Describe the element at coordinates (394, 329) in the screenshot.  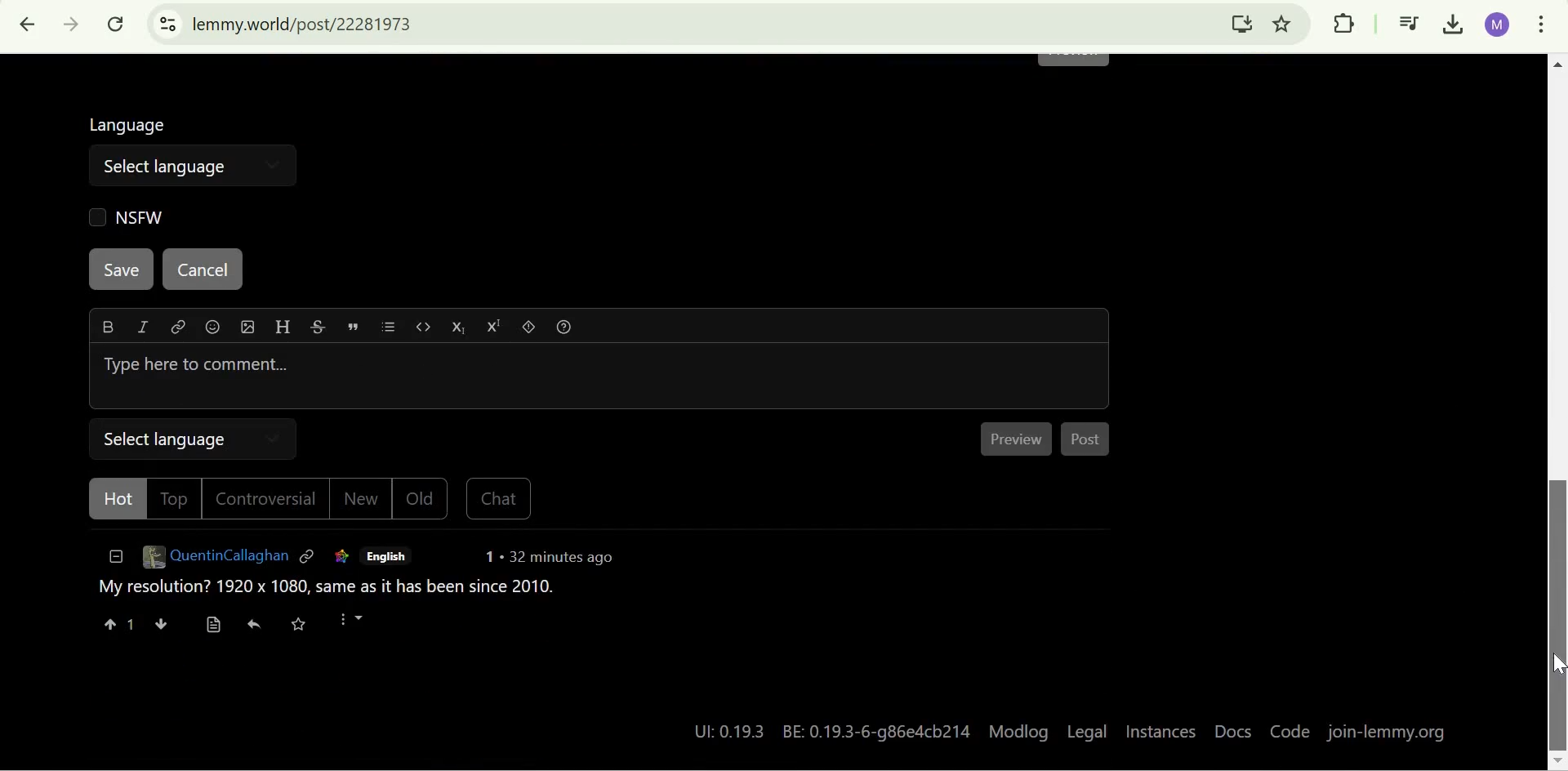
I see `list` at that location.